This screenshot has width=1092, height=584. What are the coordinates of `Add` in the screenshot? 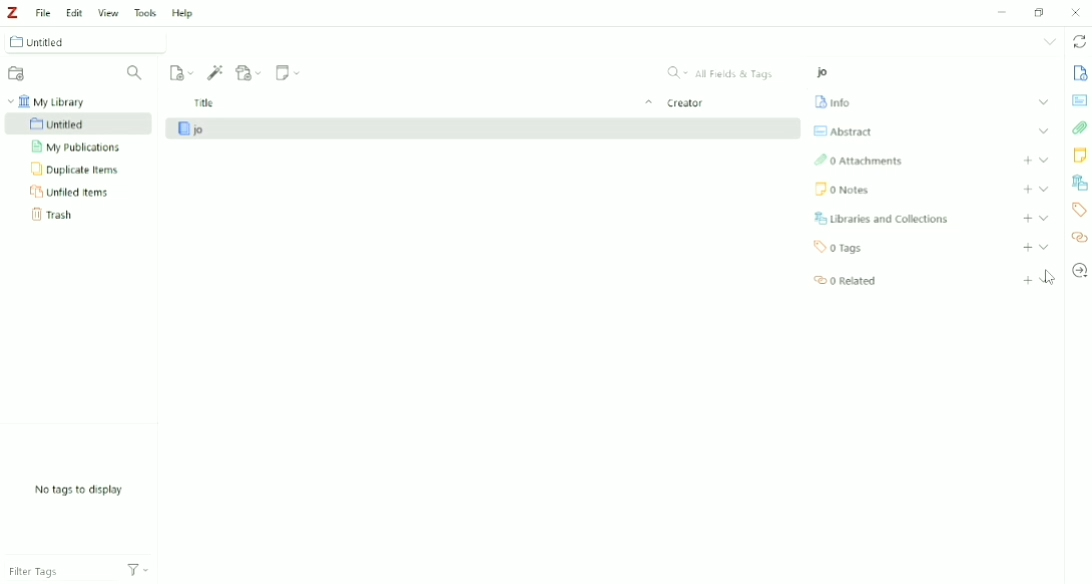 It's located at (1027, 218).